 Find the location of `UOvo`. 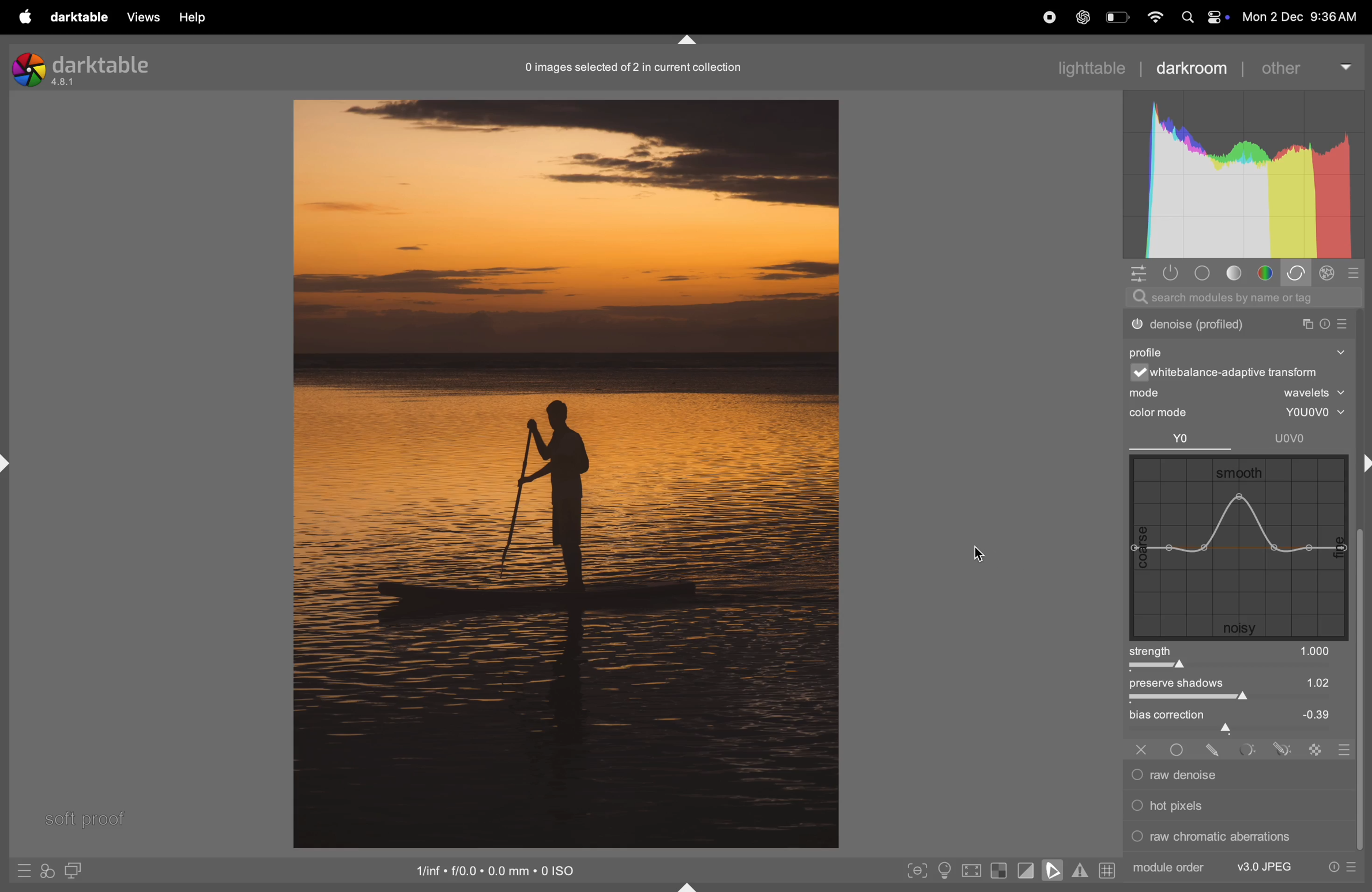

UOvo is located at coordinates (1292, 438).